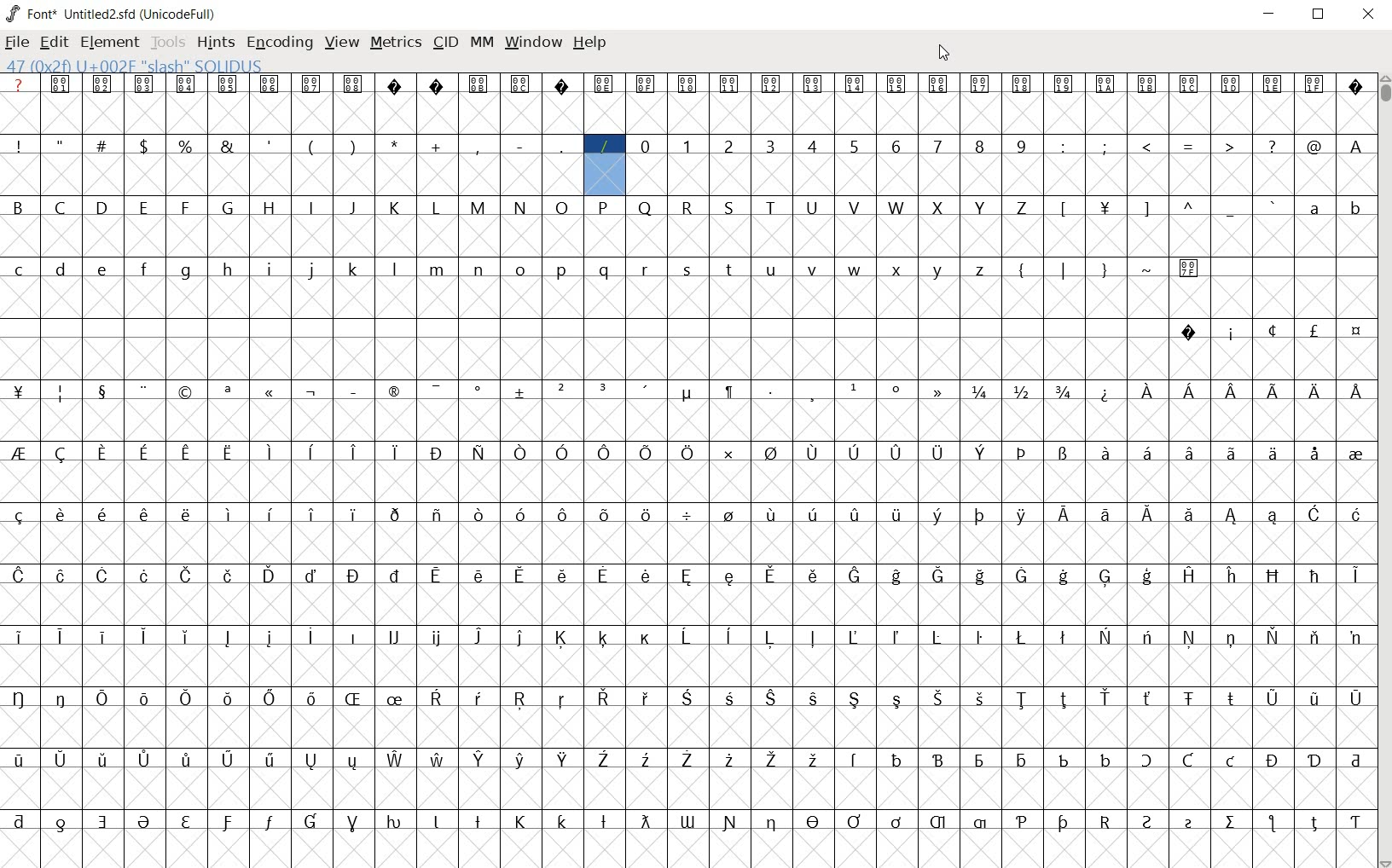 This screenshot has width=1392, height=868. I want to click on glyph, so click(20, 821).